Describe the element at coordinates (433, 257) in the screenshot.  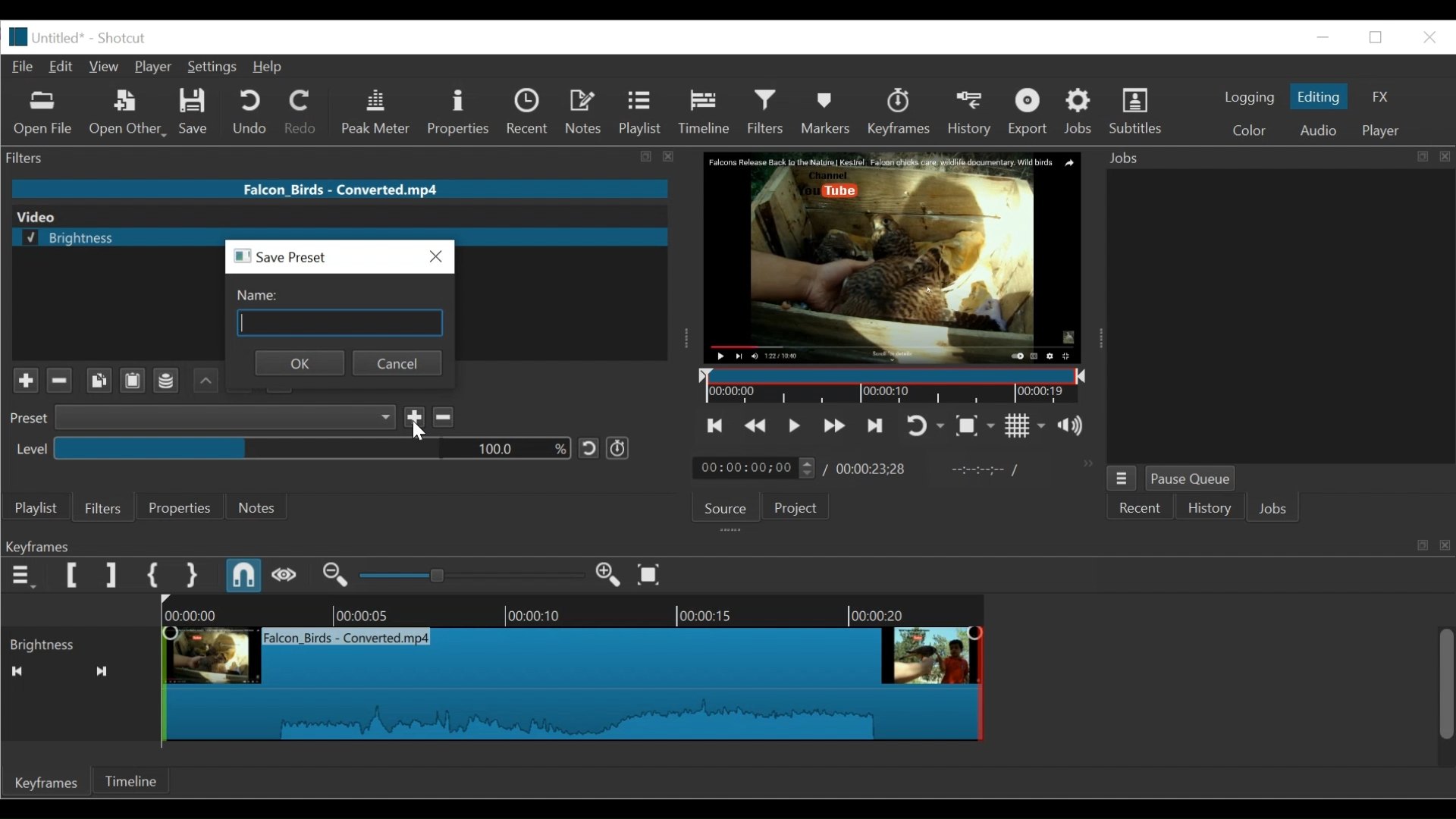
I see `Close` at that location.